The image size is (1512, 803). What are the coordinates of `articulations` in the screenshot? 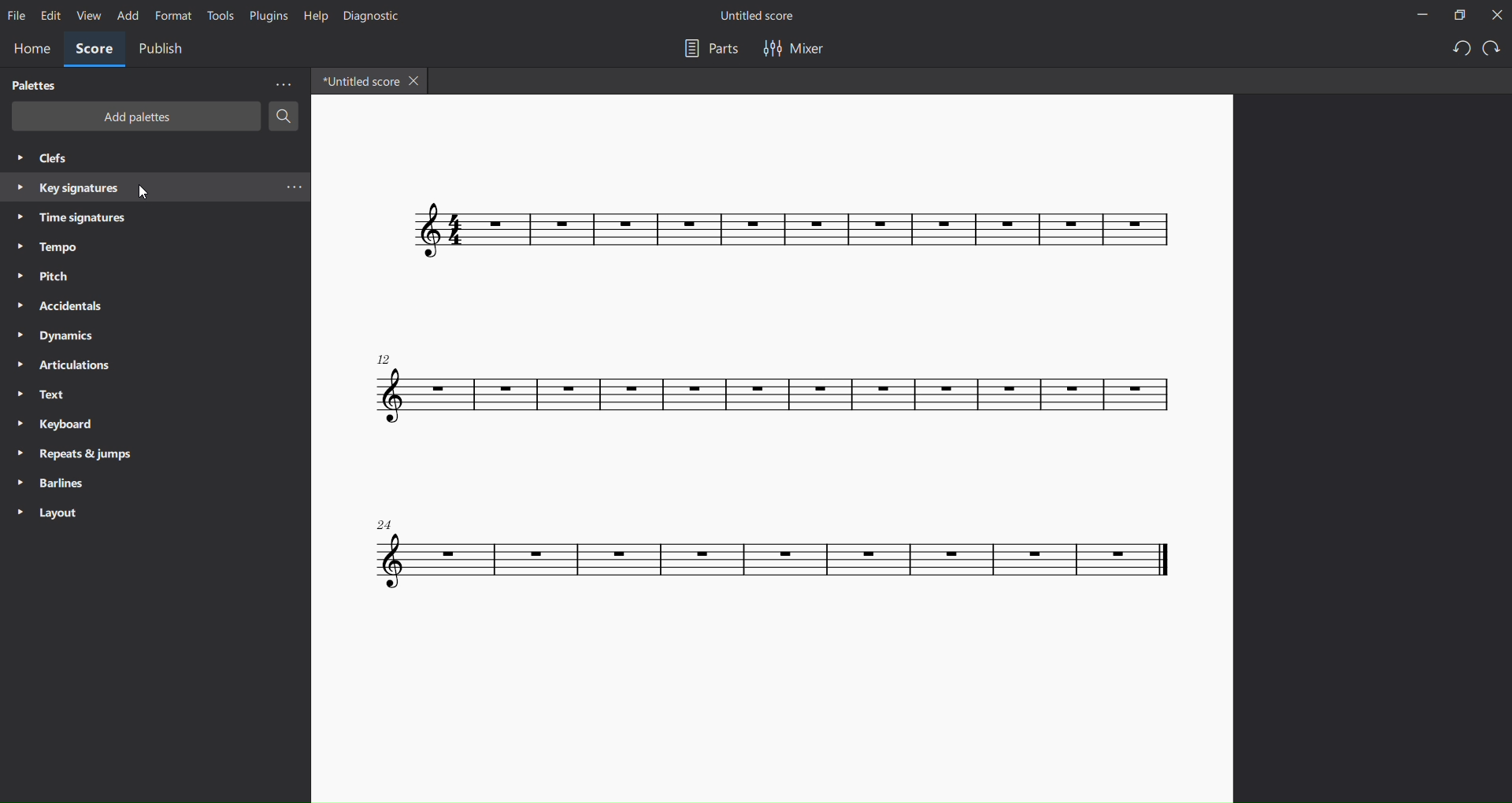 It's located at (64, 366).